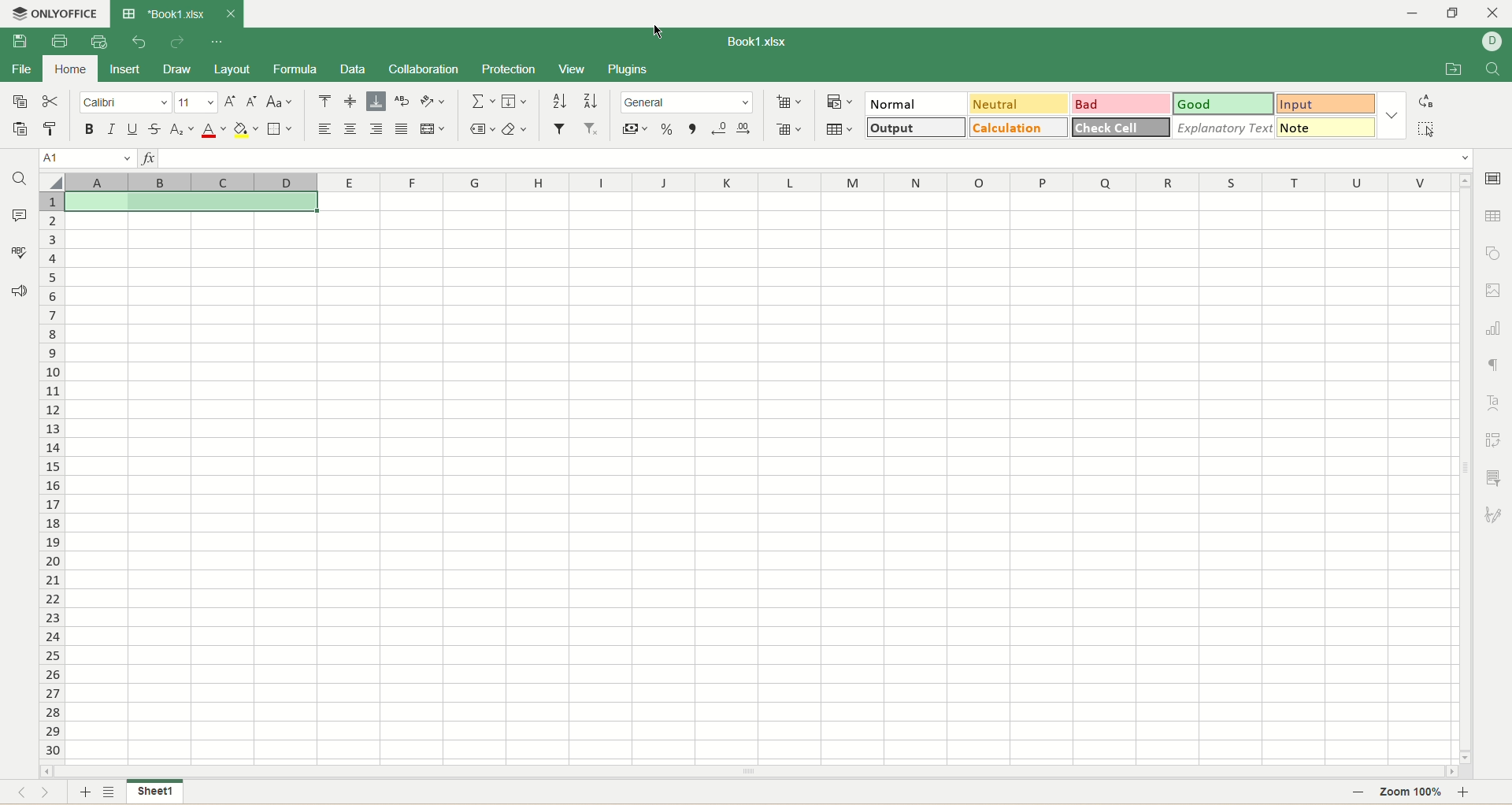 This screenshot has width=1512, height=805. Describe the element at coordinates (692, 128) in the screenshot. I see `comma style` at that location.